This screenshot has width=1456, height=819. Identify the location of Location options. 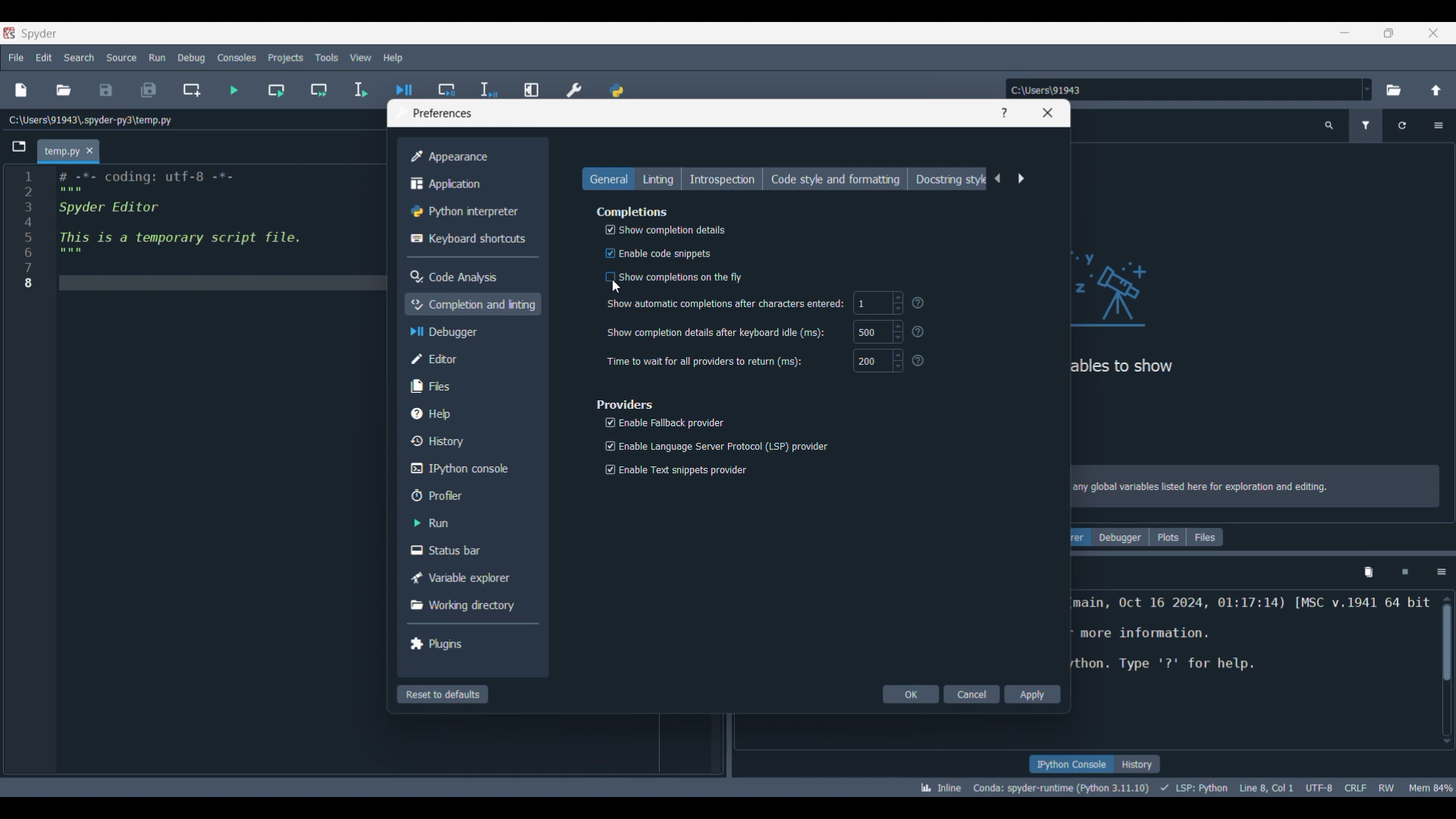
(1367, 89).